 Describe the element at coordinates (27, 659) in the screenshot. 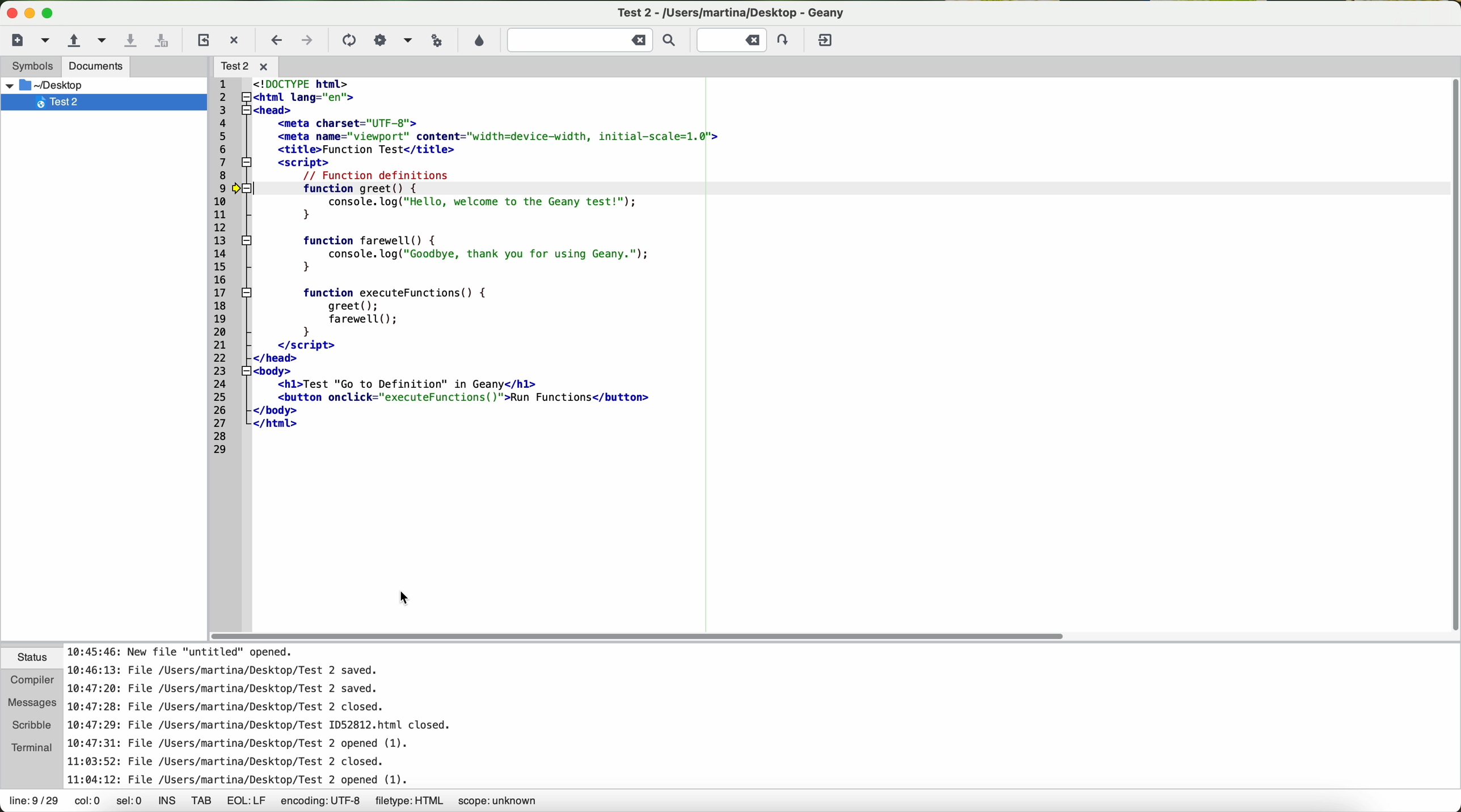

I see `status` at that location.